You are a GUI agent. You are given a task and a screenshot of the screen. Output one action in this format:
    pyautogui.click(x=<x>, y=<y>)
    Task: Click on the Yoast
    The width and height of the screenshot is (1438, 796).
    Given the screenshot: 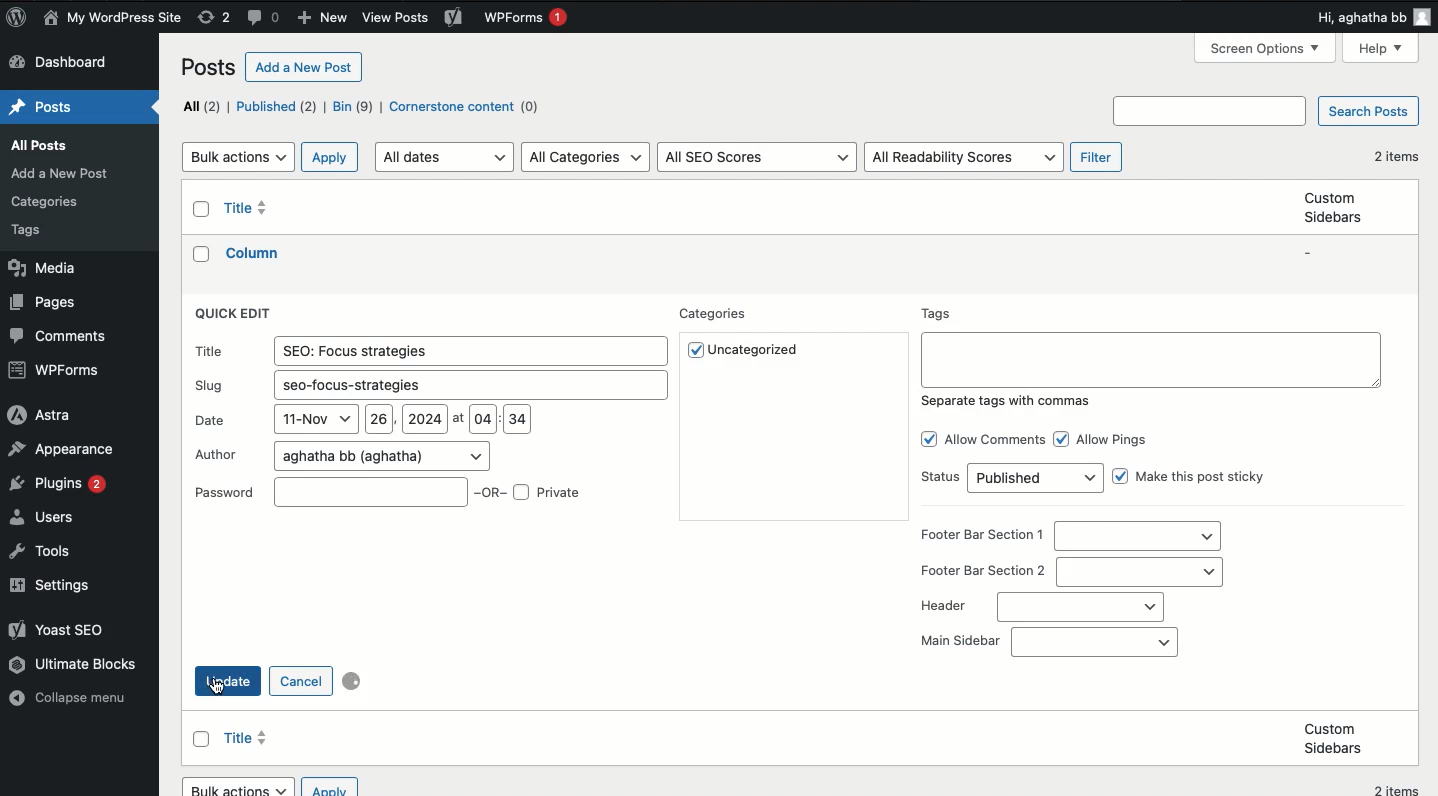 What is the action you would take?
    pyautogui.click(x=453, y=16)
    